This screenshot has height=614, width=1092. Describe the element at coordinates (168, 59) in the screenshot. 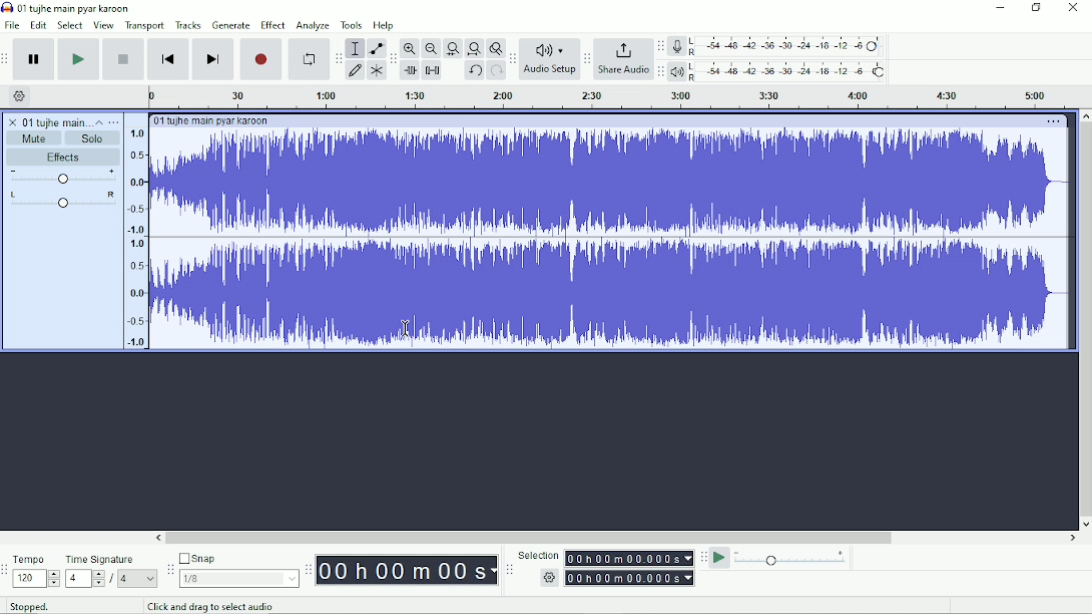

I see `Skip to start` at that location.